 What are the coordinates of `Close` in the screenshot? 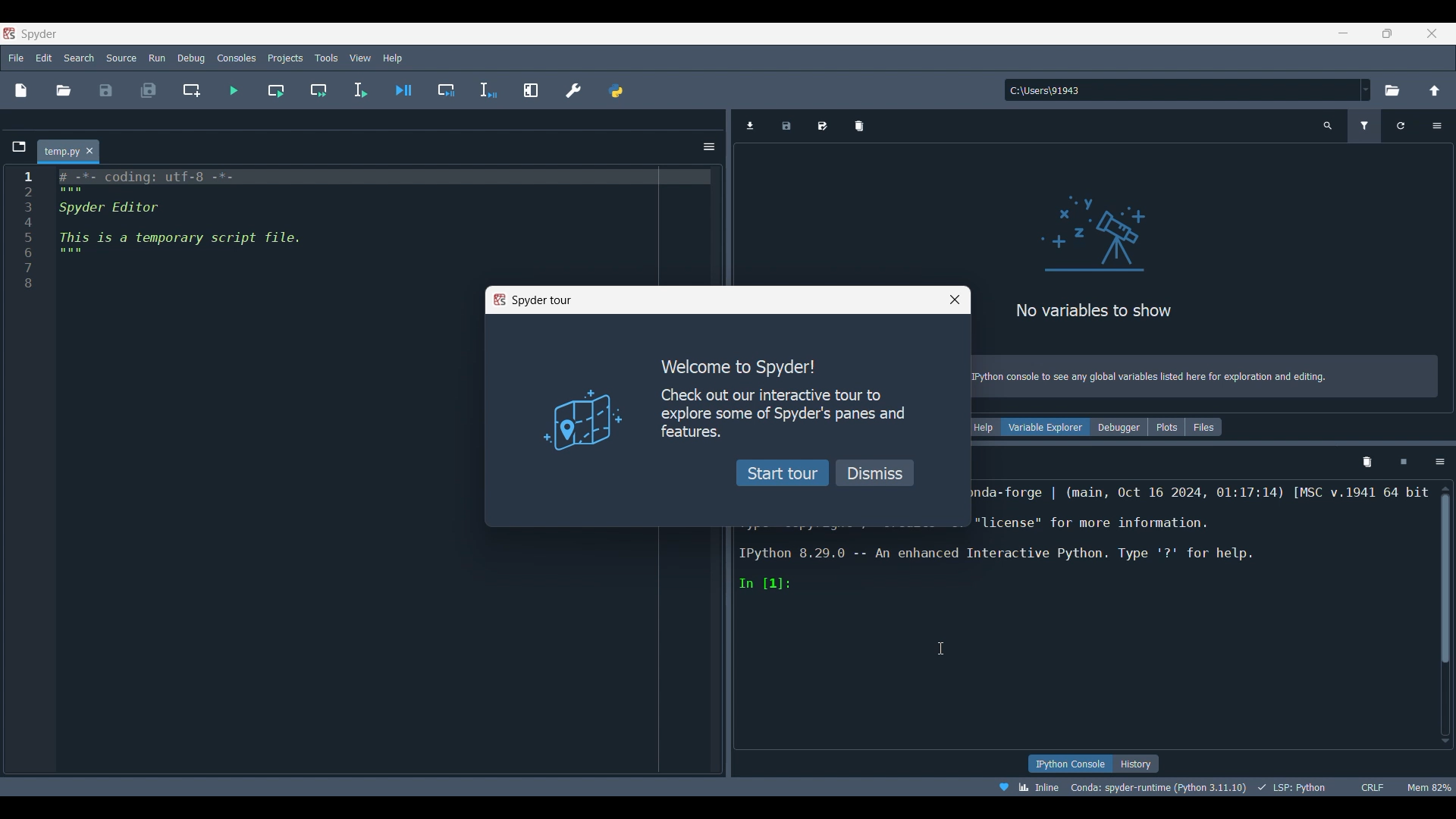 It's located at (837, 129).